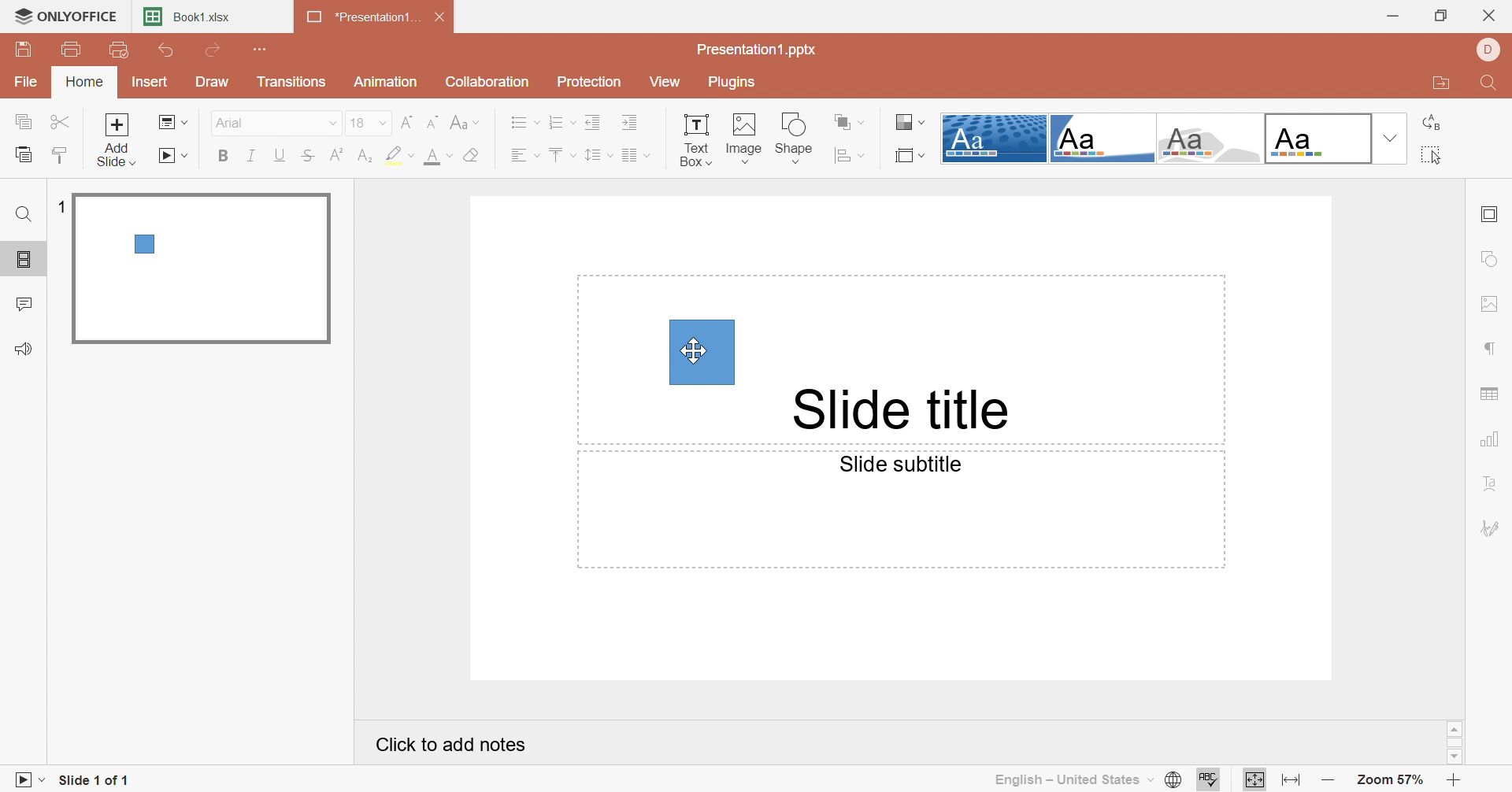  What do you see at coordinates (734, 83) in the screenshot?
I see `Plugins` at bounding box center [734, 83].